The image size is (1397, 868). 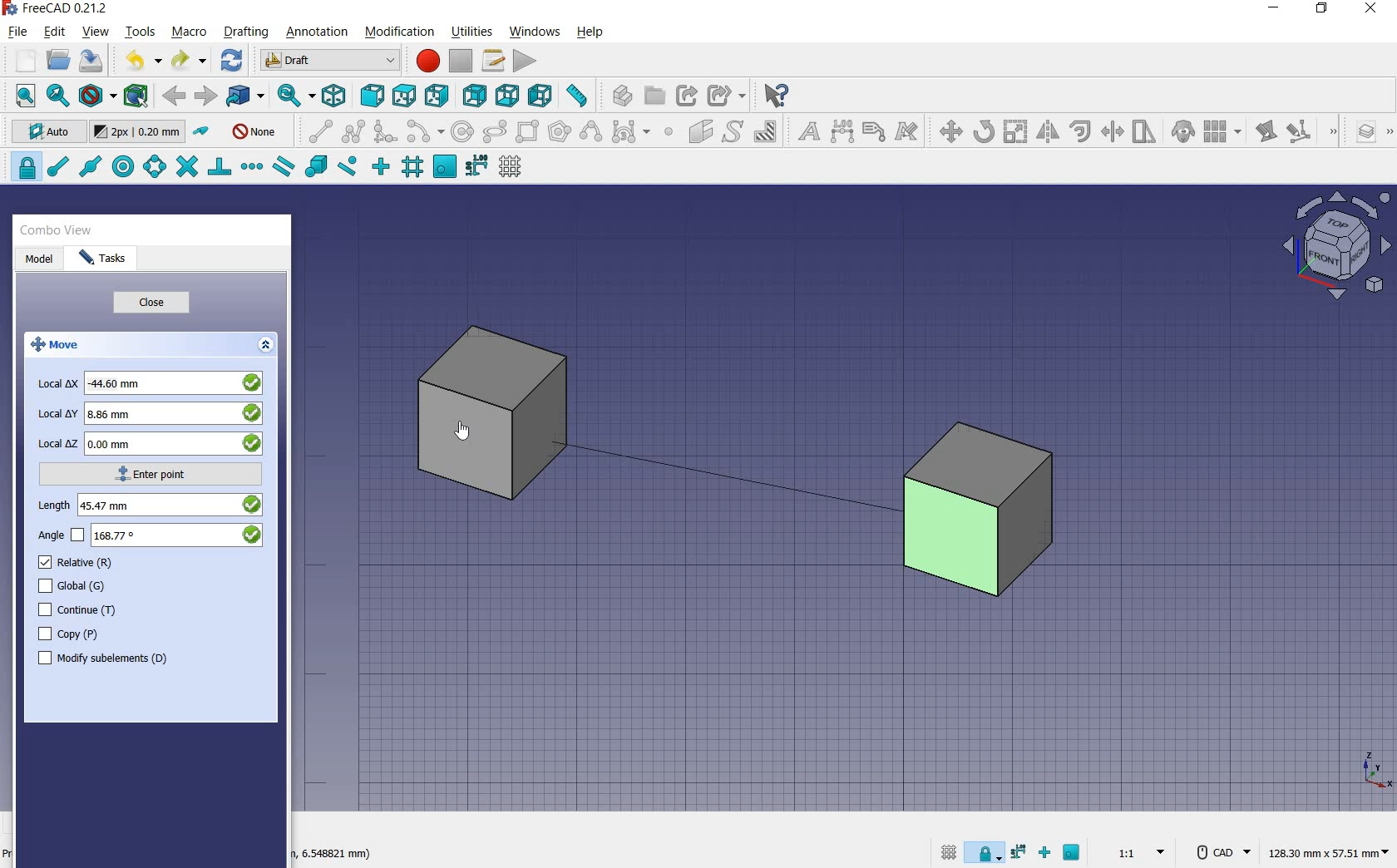 What do you see at coordinates (1049, 131) in the screenshot?
I see `mirror` at bounding box center [1049, 131].